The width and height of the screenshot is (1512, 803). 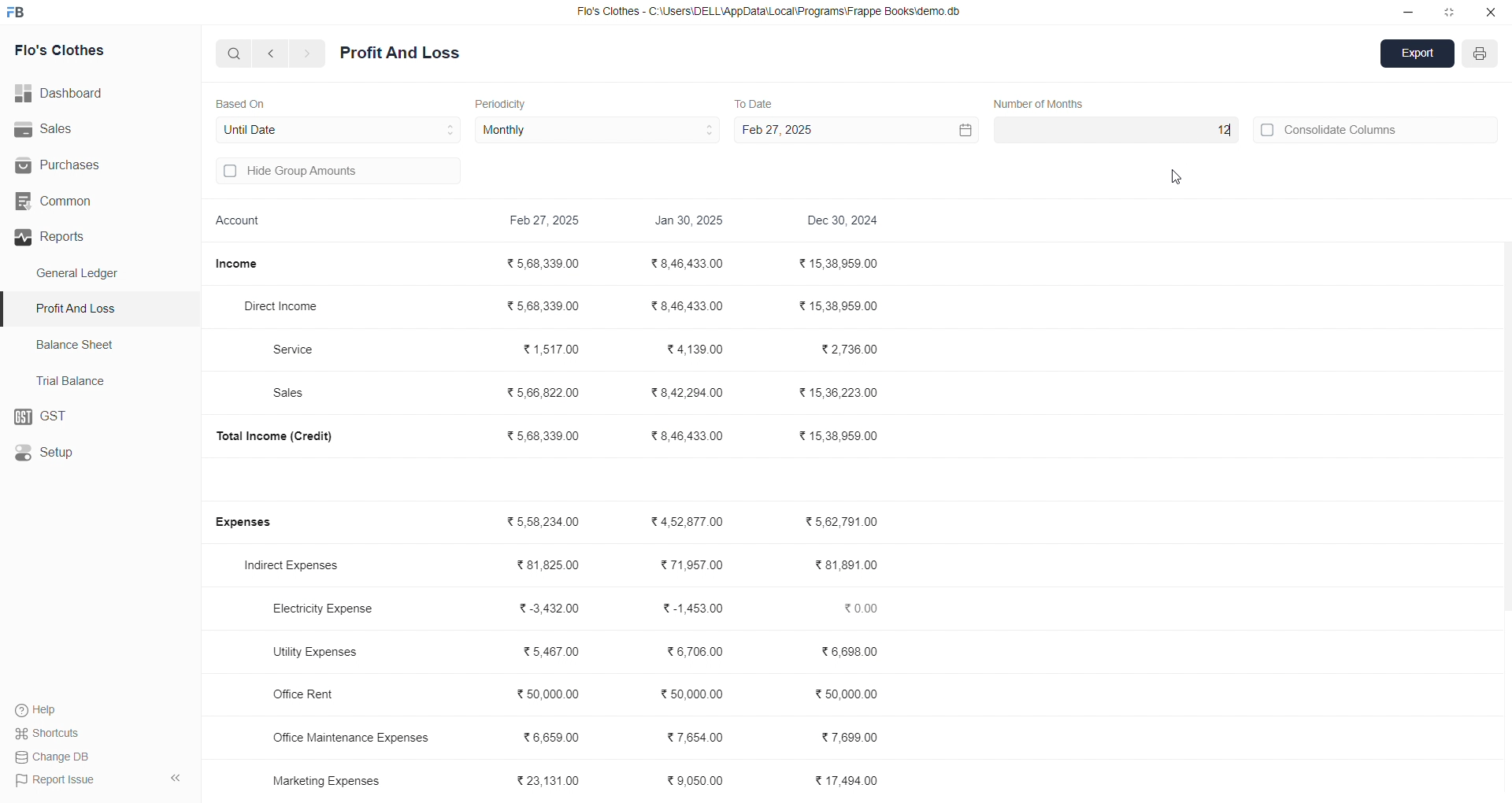 I want to click on ₹7,699.00, so click(x=850, y=735).